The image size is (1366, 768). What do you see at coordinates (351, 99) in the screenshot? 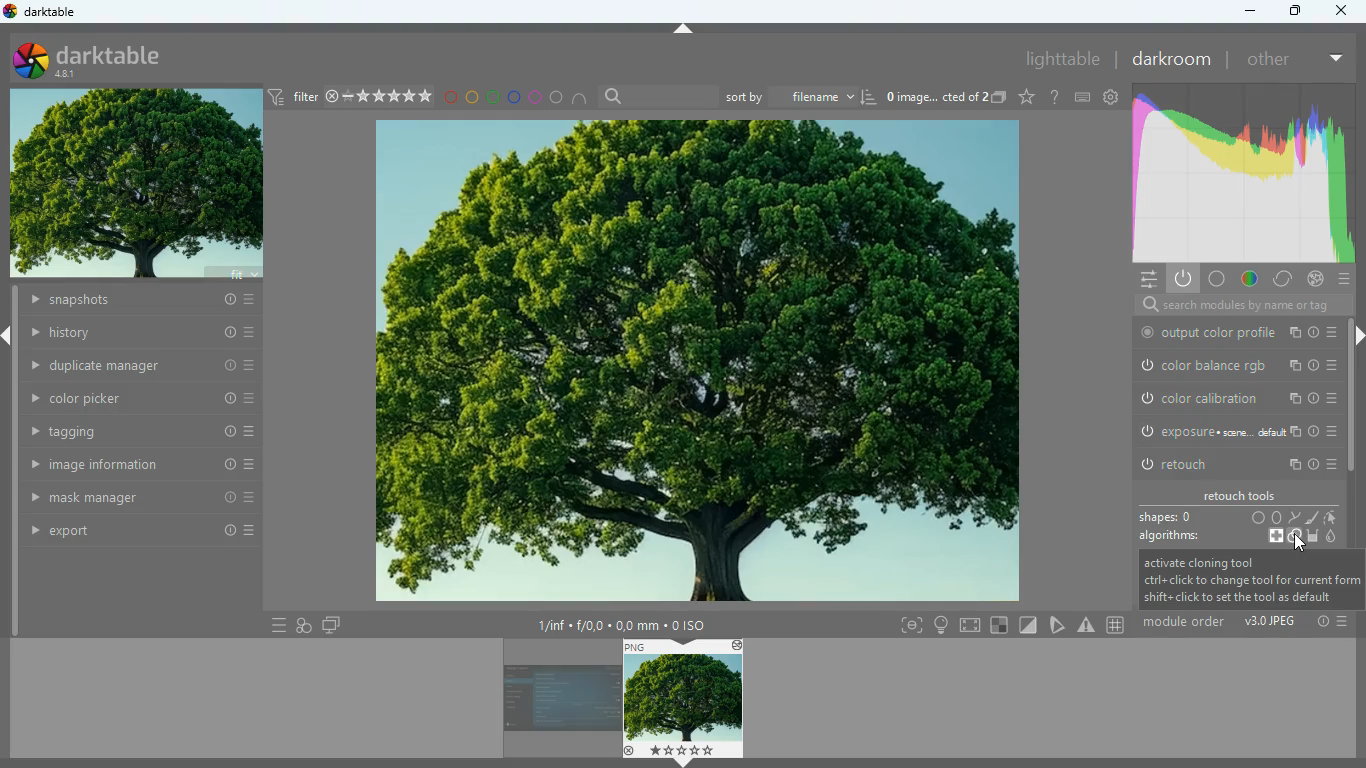
I see `filter` at bounding box center [351, 99].